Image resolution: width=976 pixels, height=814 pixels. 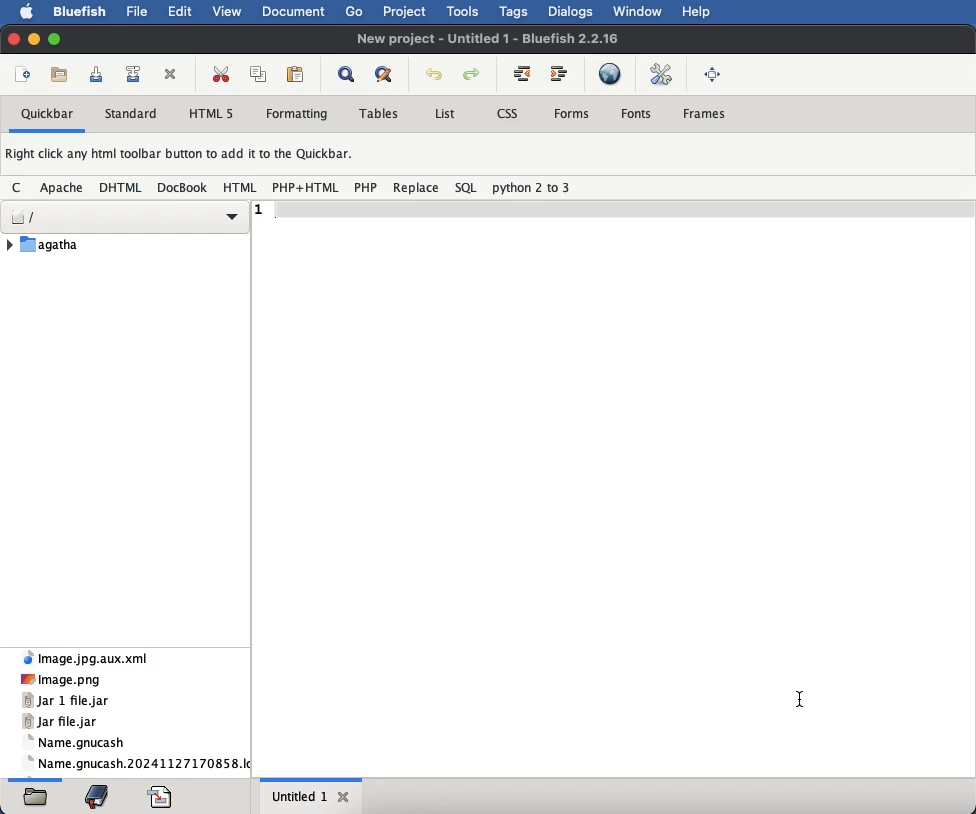 What do you see at coordinates (138, 760) in the screenshot?
I see `Name.anucash.20241127170858.k` at bounding box center [138, 760].